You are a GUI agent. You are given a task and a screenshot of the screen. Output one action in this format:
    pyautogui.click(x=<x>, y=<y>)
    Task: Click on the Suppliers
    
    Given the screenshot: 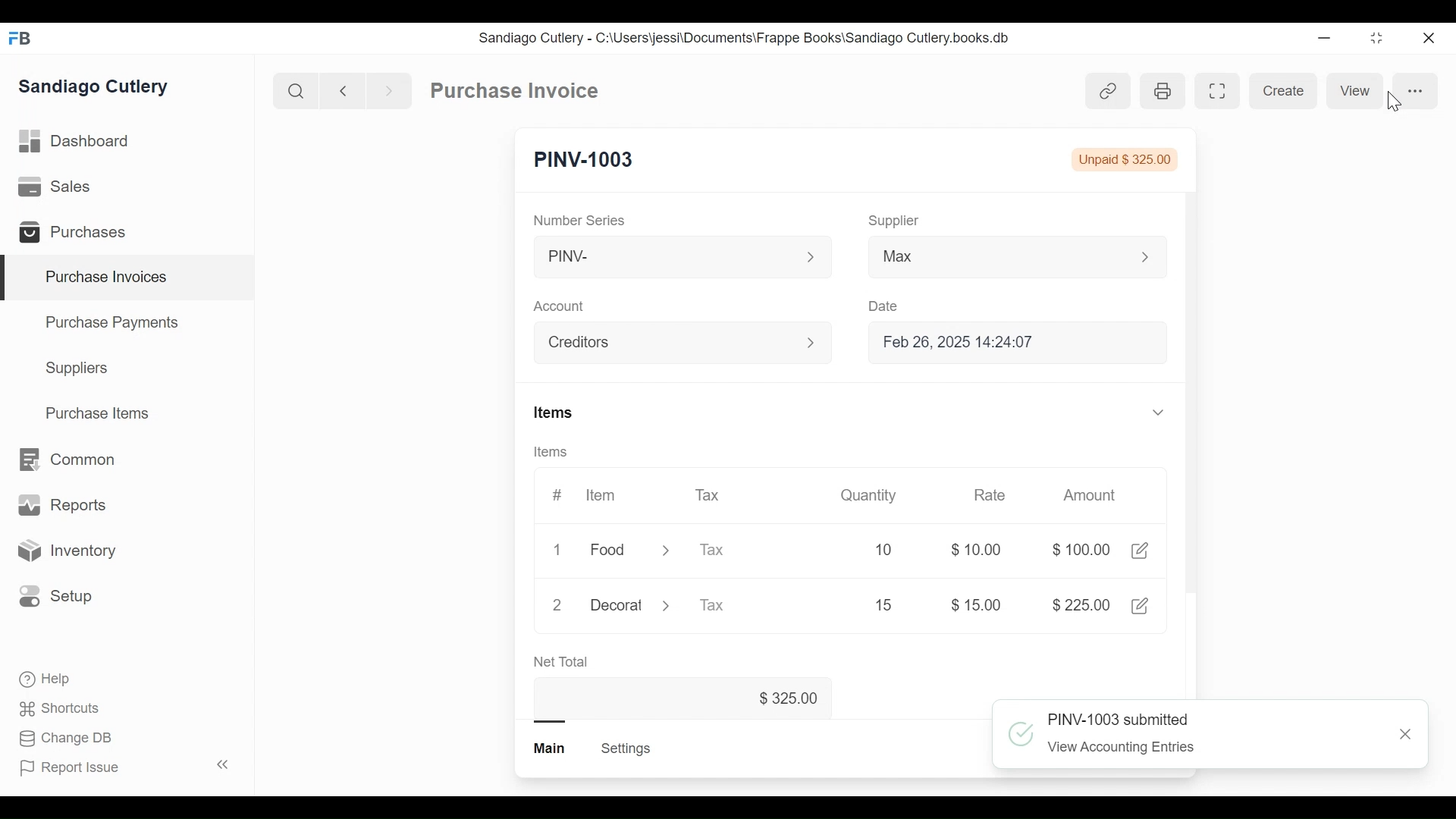 What is the action you would take?
    pyautogui.click(x=77, y=369)
    